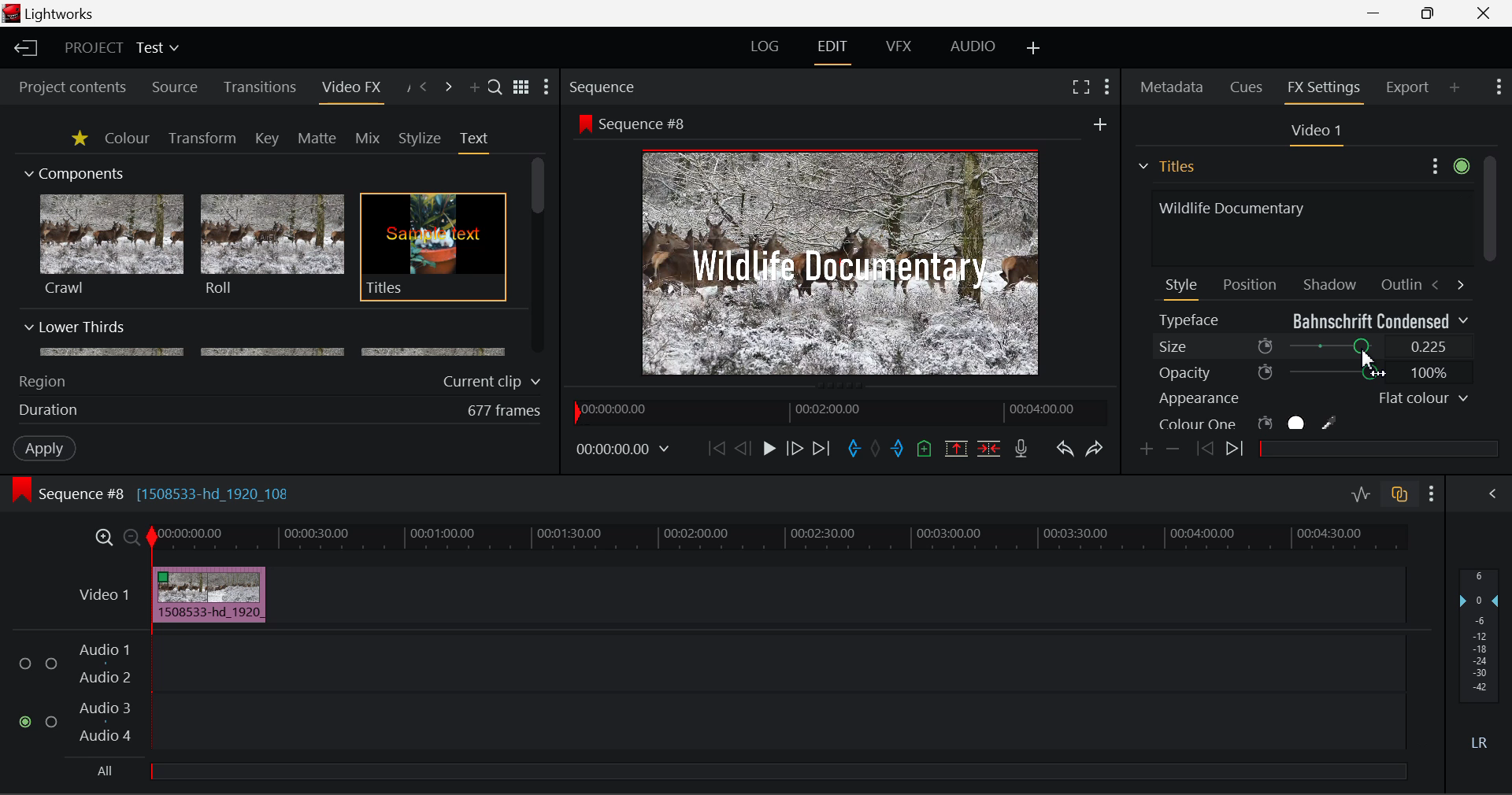 This screenshot has width=1512, height=795. I want to click on Restore Down, so click(1375, 11).